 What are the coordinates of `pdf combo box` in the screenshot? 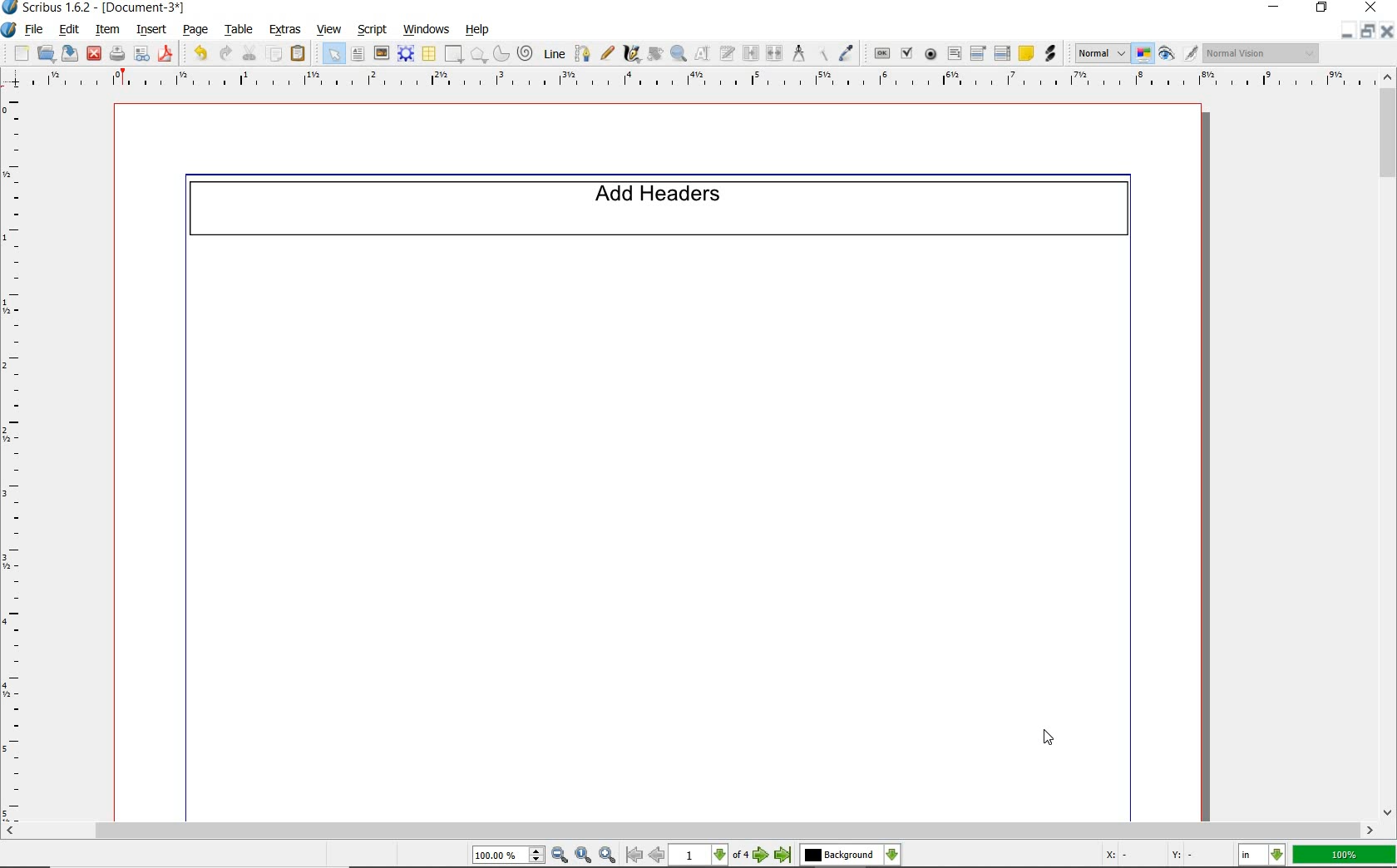 It's located at (978, 52).